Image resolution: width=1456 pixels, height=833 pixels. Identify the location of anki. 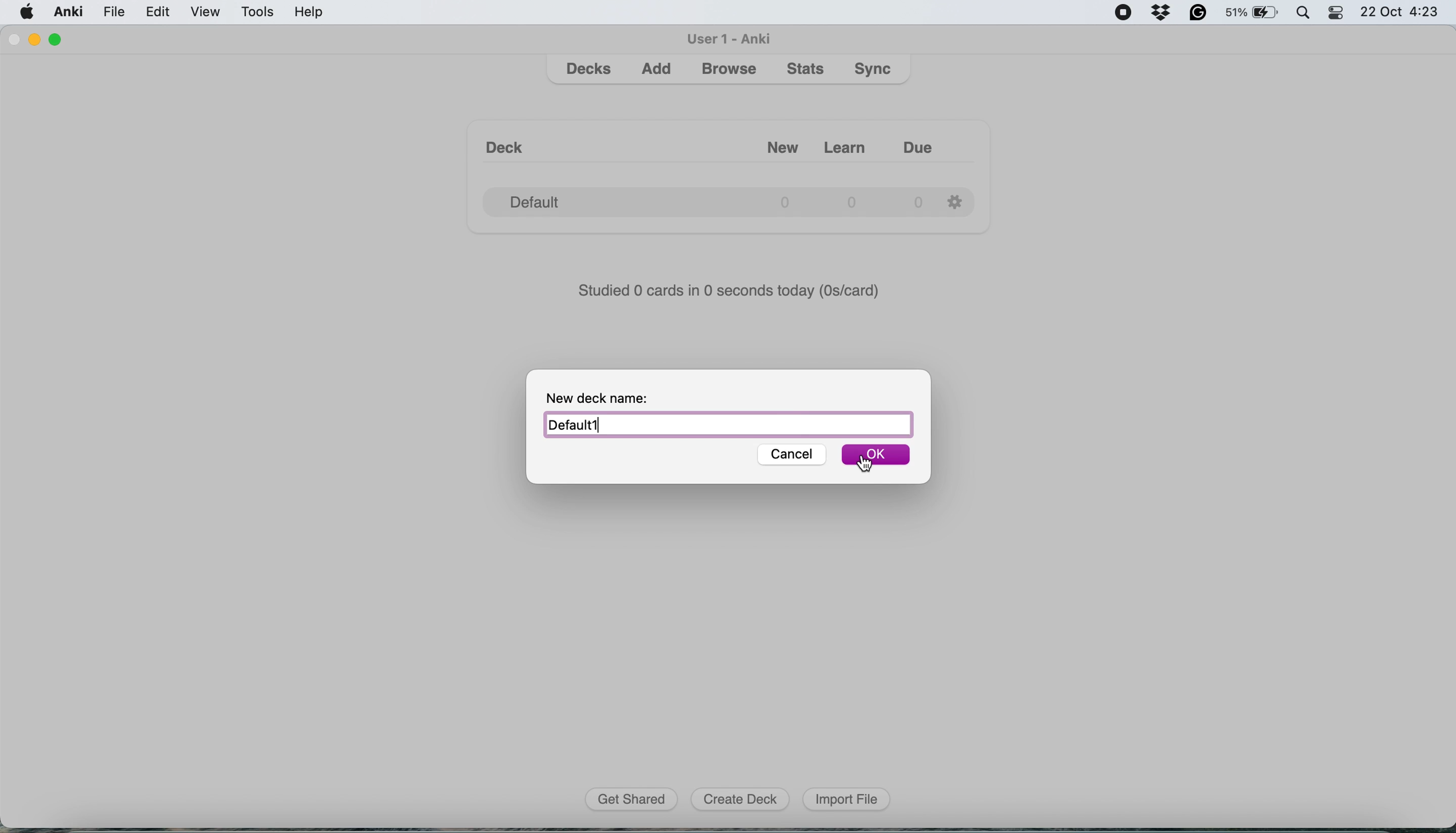
(69, 13).